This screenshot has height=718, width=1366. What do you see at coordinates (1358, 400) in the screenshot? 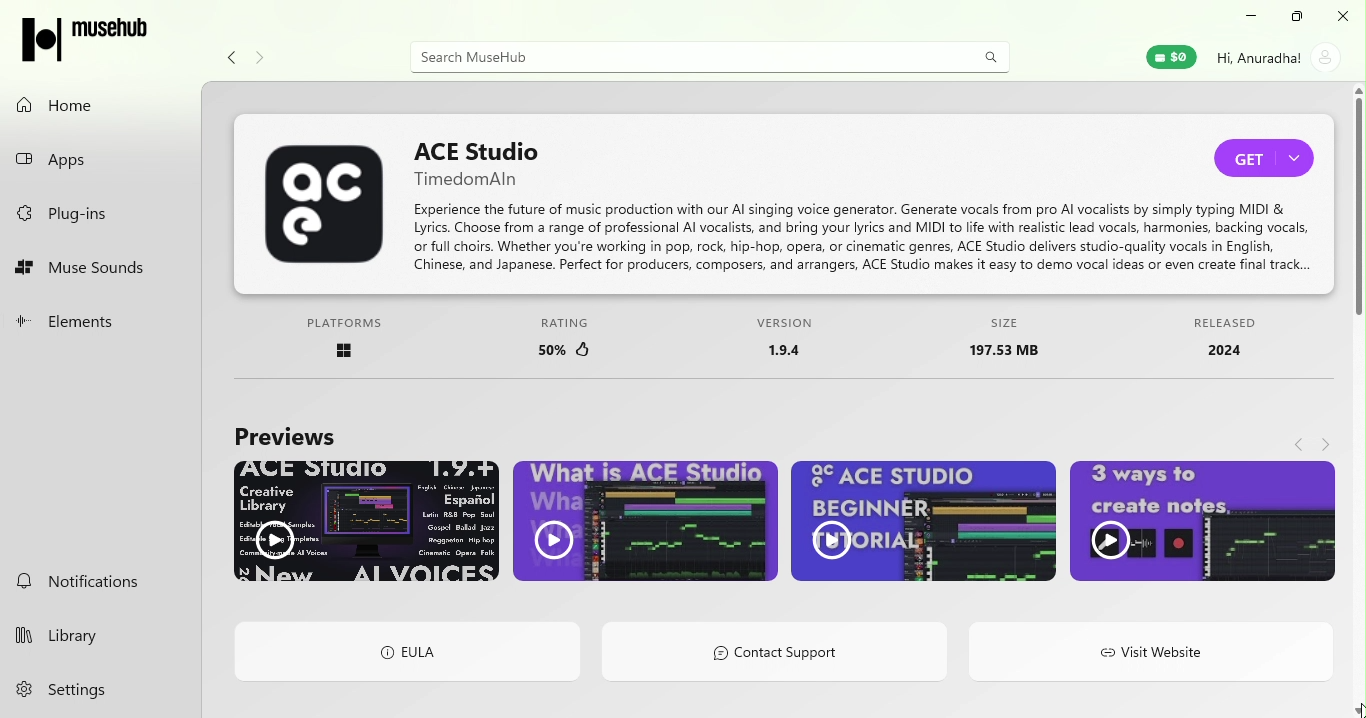
I see `Scroll bar` at bounding box center [1358, 400].